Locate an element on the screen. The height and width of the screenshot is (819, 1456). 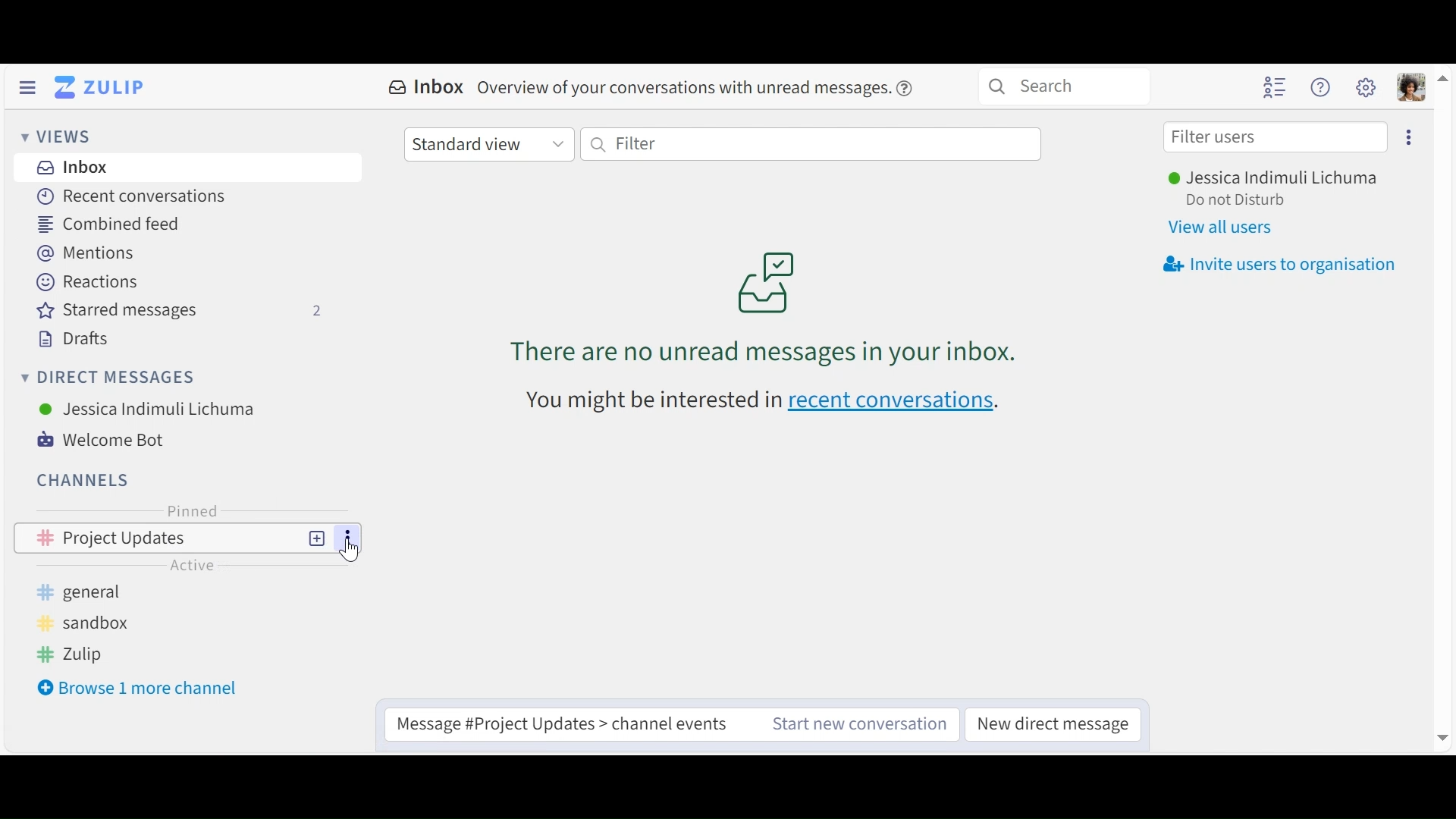
Down is located at coordinates (1439, 739).